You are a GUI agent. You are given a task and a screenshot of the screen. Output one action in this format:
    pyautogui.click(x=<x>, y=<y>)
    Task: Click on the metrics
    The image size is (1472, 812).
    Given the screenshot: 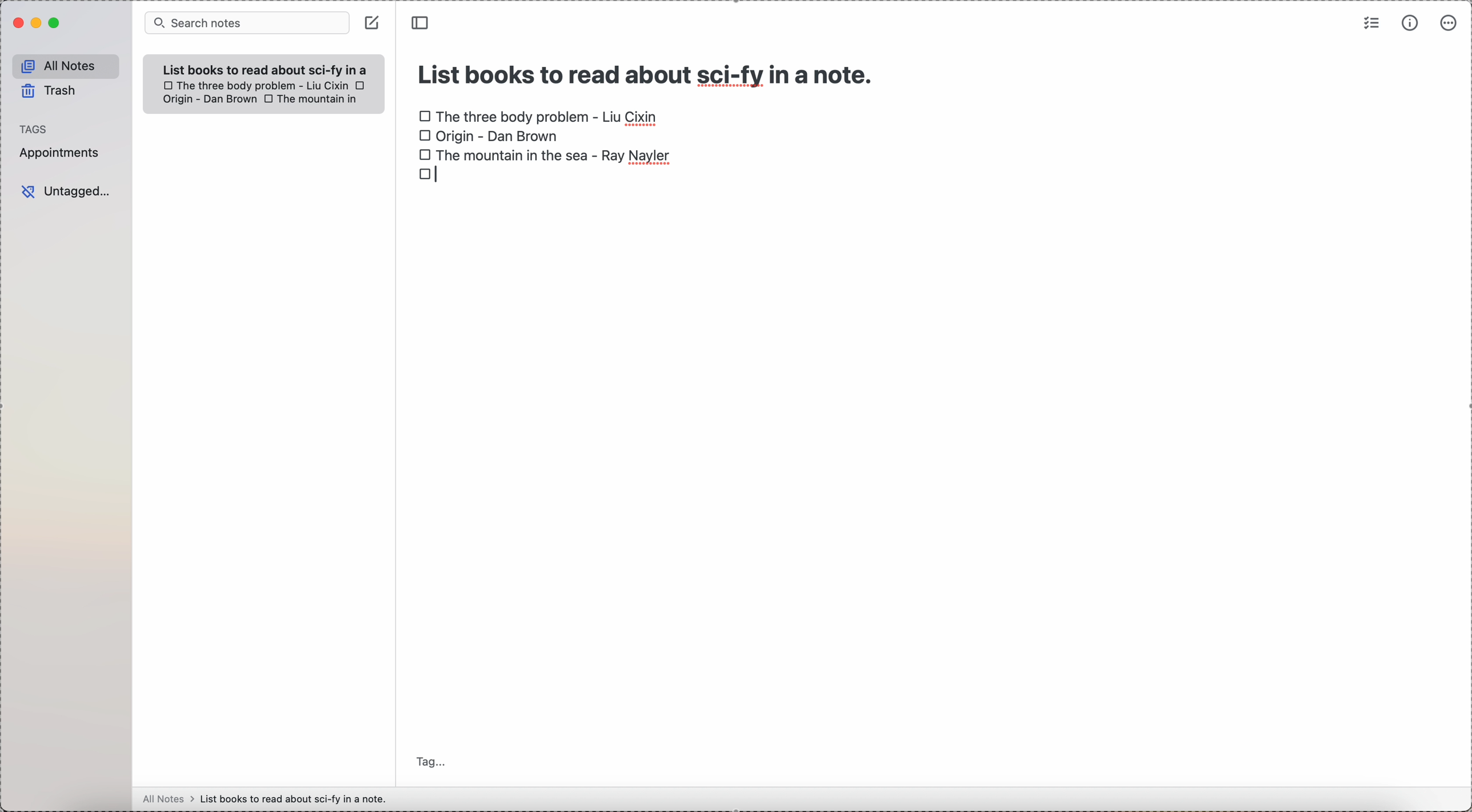 What is the action you would take?
    pyautogui.click(x=1407, y=23)
    